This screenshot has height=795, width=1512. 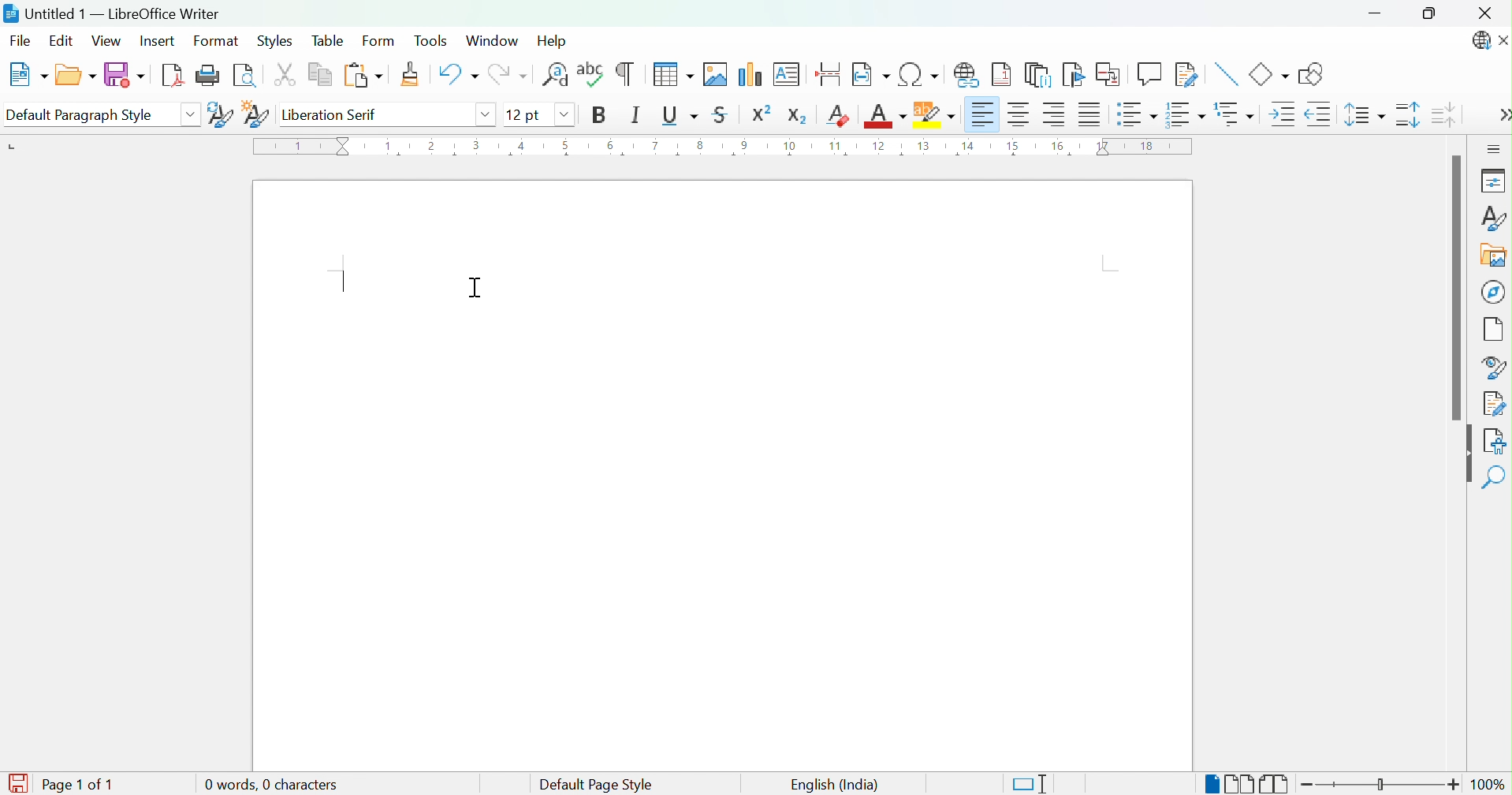 I want to click on Select outline format, so click(x=1236, y=115).